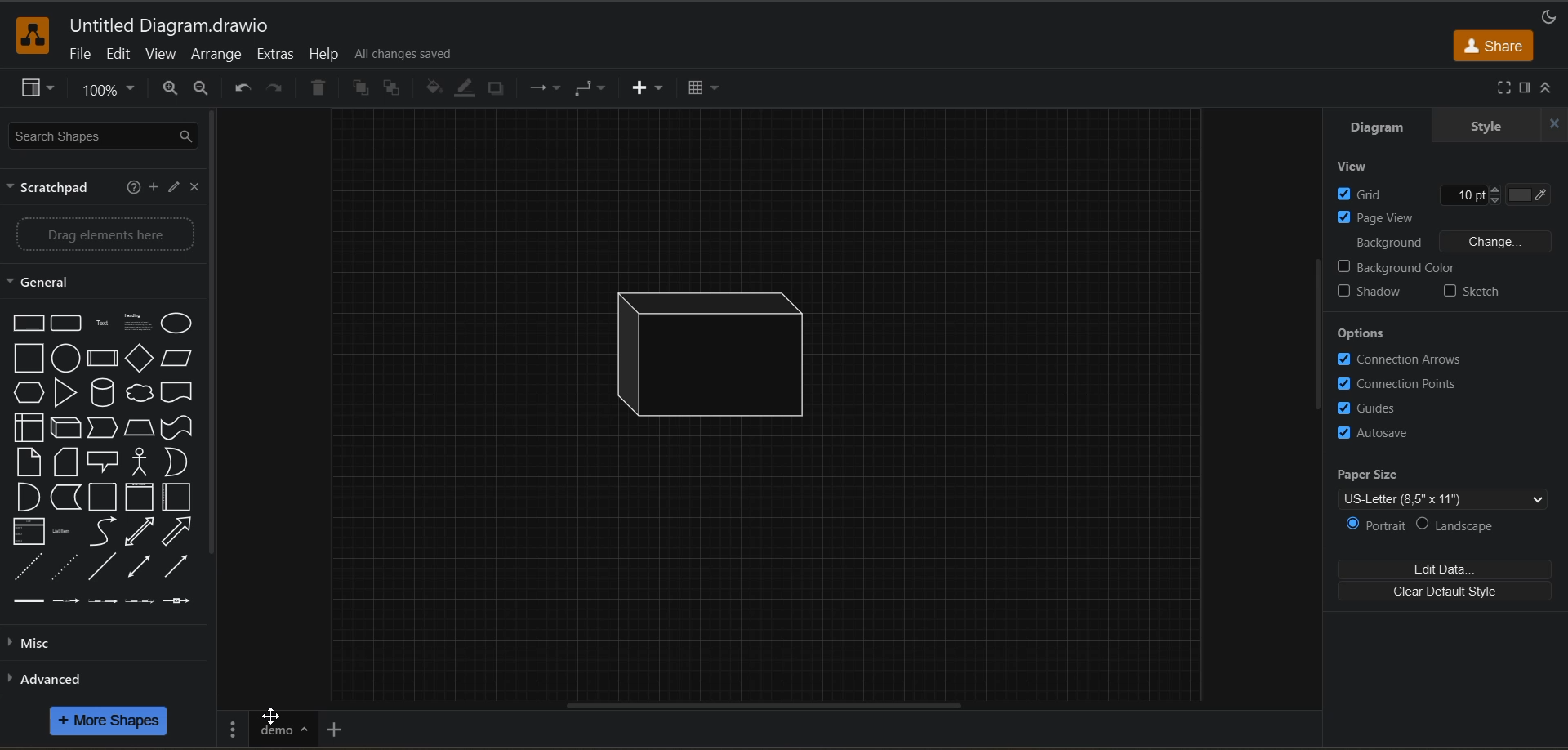  I want to click on fullscreen, so click(1503, 88).